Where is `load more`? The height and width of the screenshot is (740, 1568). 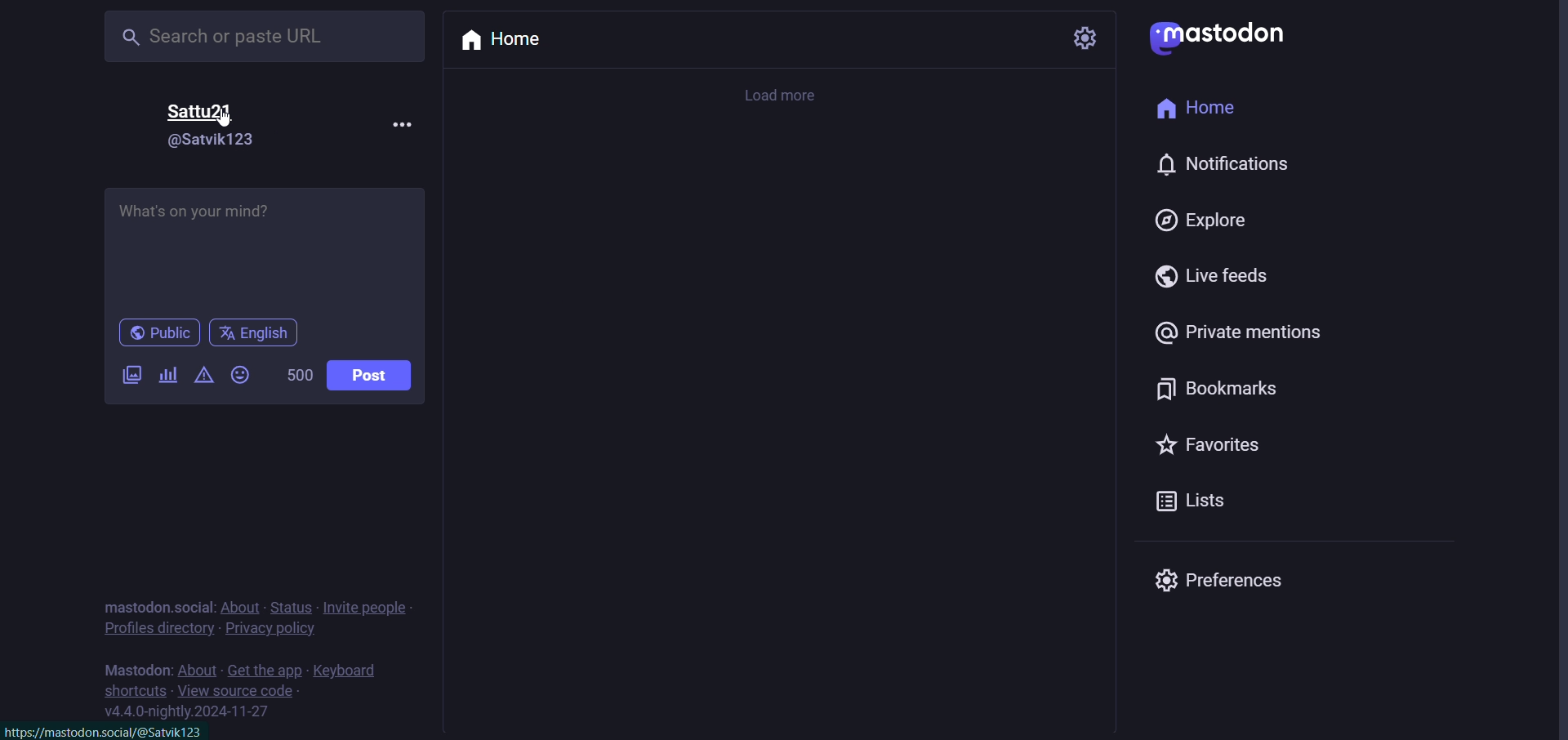
load more is located at coordinates (783, 98).